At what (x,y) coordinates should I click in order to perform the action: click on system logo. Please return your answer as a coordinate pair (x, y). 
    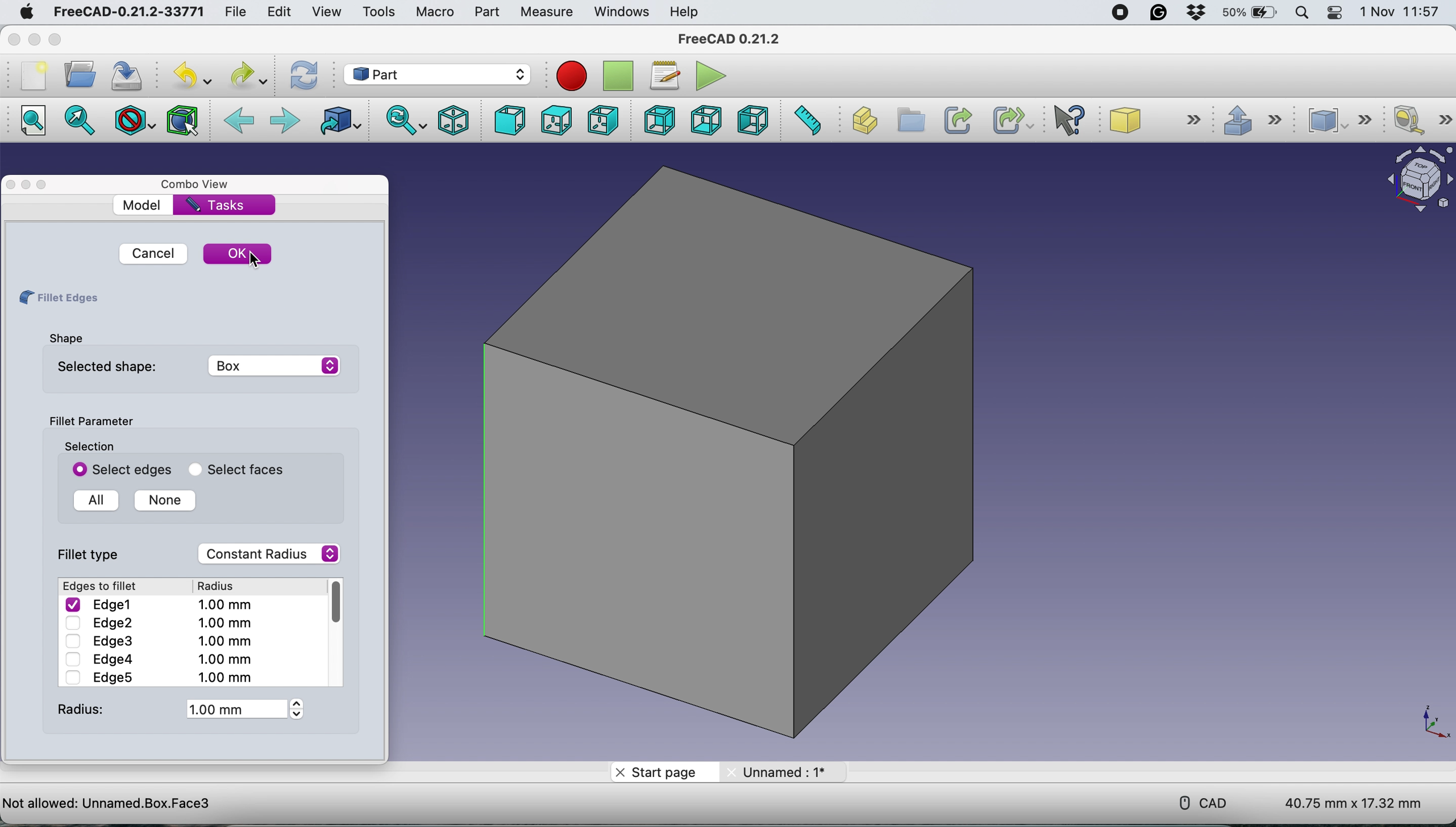
    Looking at the image, I should click on (26, 14).